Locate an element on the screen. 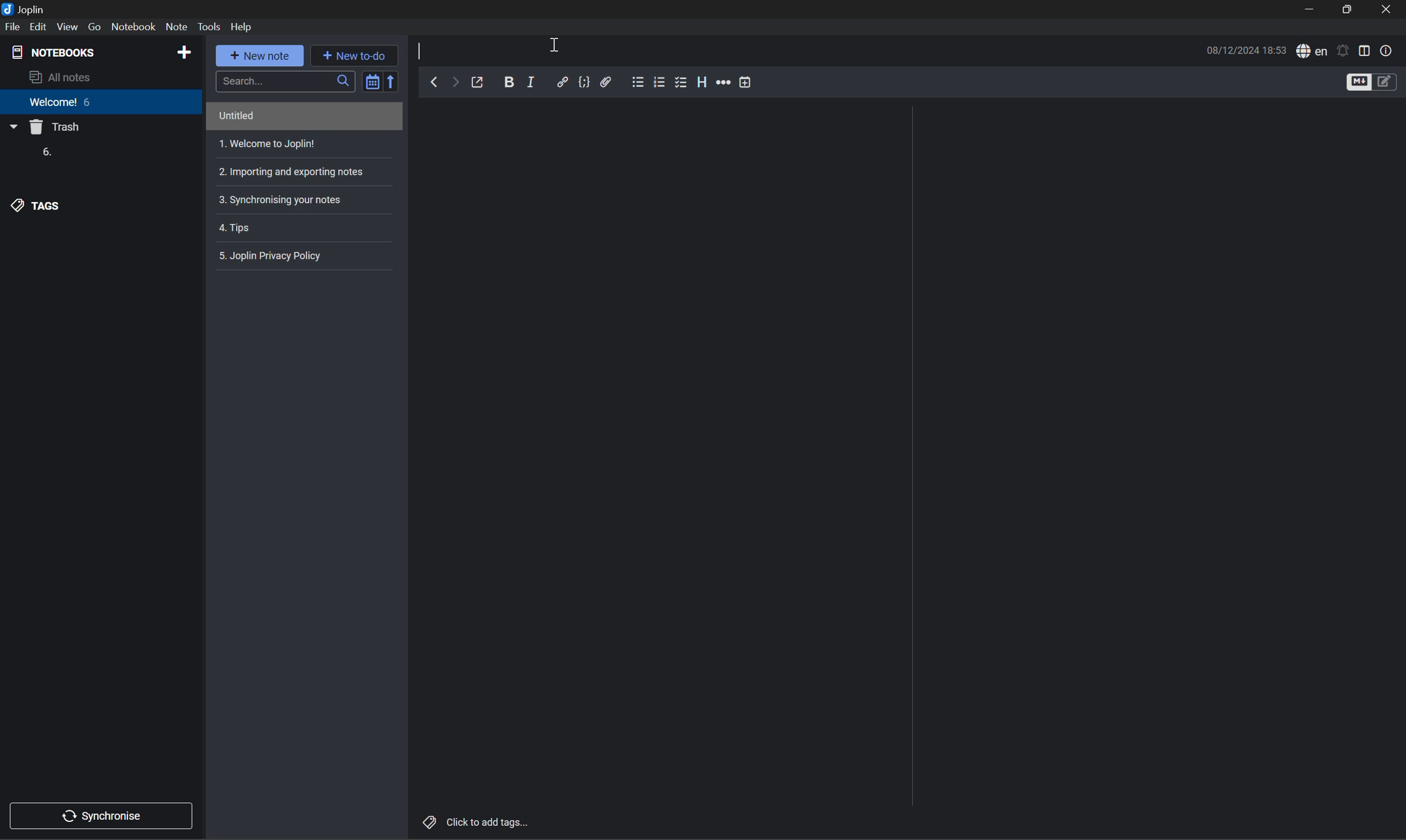  Go is located at coordinates (96, 27).